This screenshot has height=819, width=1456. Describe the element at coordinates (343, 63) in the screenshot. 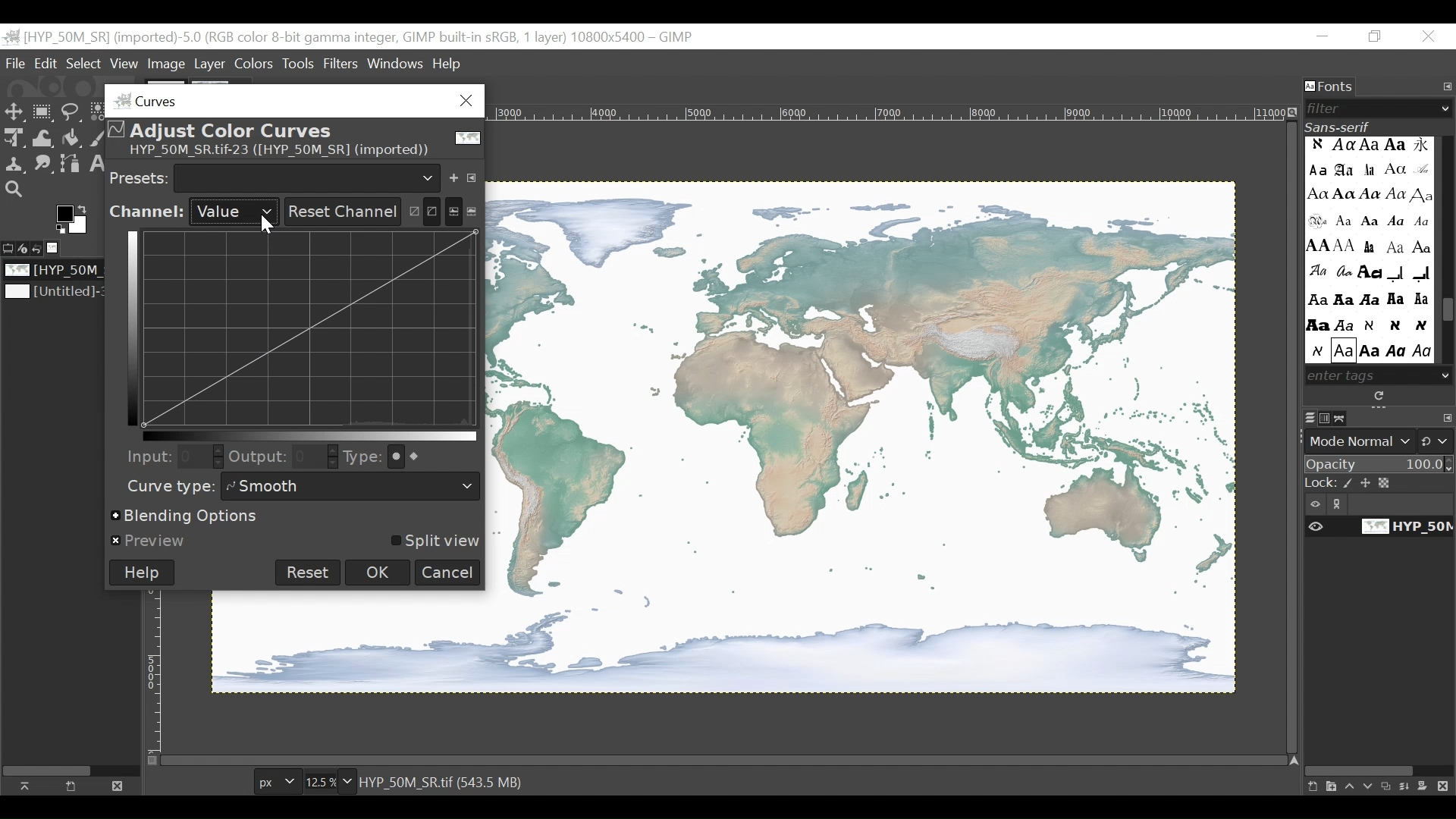

I see `Filters` at that location.